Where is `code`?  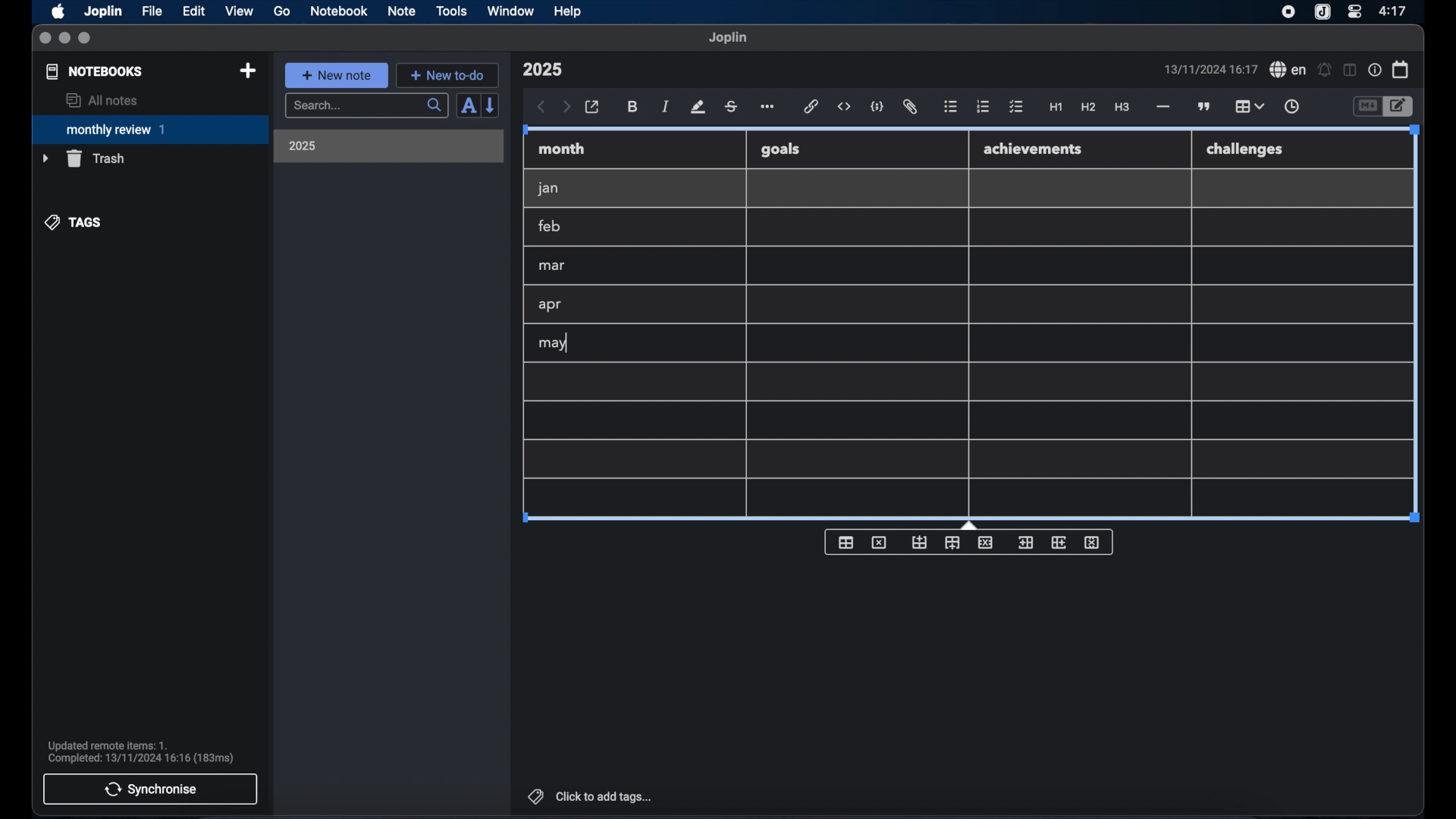 code is located at coordinates (877, 108).